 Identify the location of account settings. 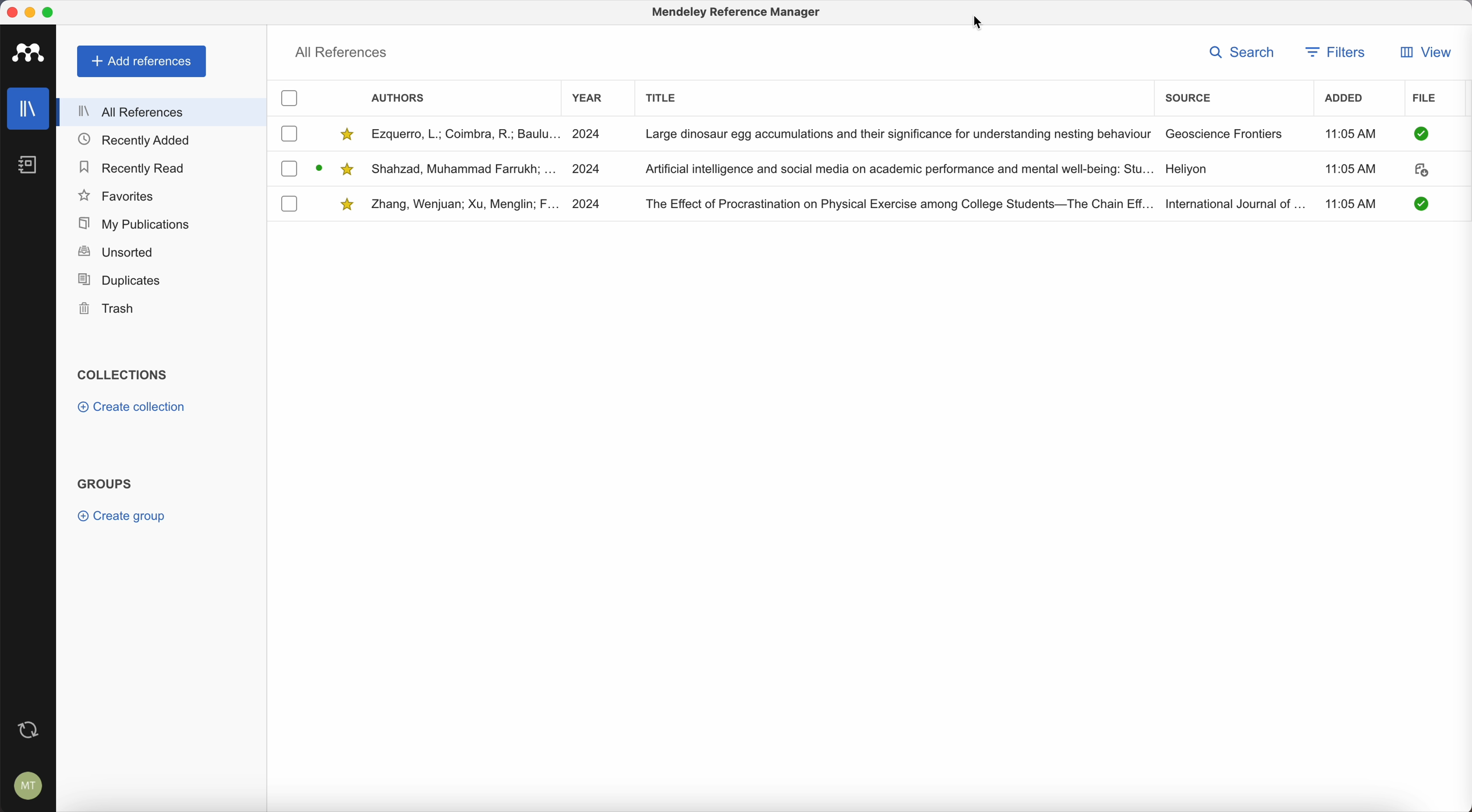
(26, 783).